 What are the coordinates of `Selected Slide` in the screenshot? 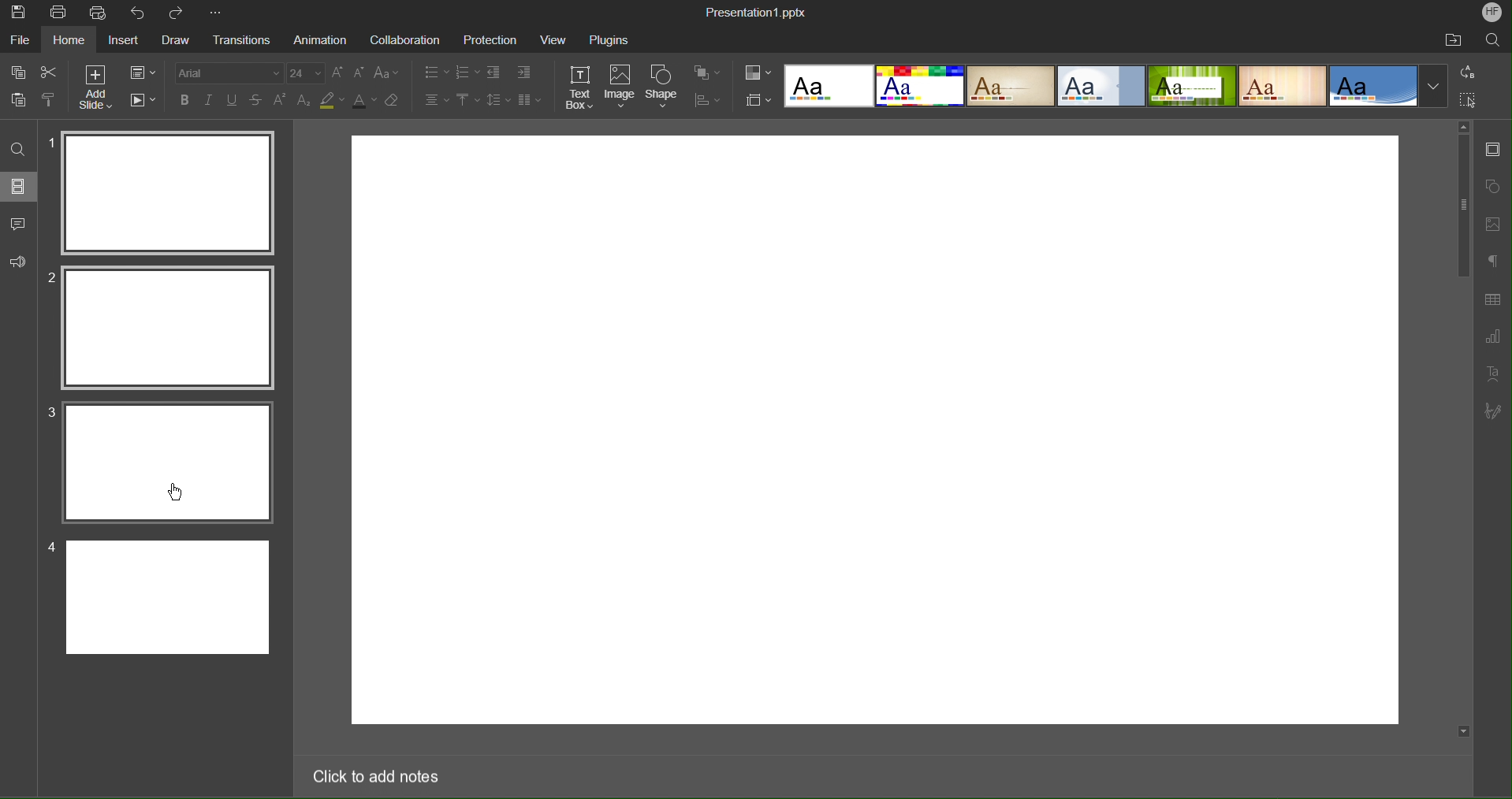 It's located at (168, 328).